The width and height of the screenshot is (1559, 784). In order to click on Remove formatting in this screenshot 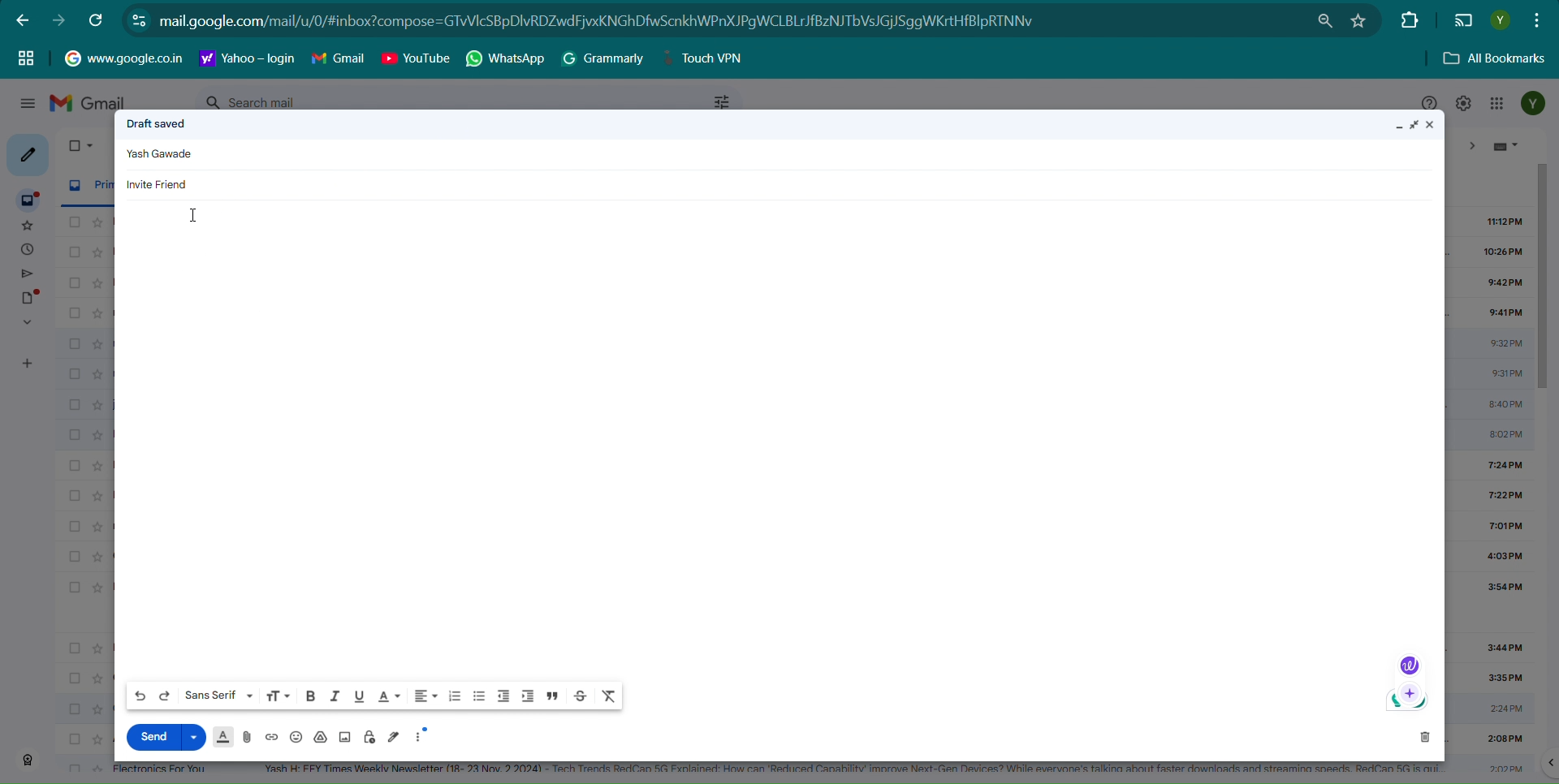, I will do `click(610, 696)`.